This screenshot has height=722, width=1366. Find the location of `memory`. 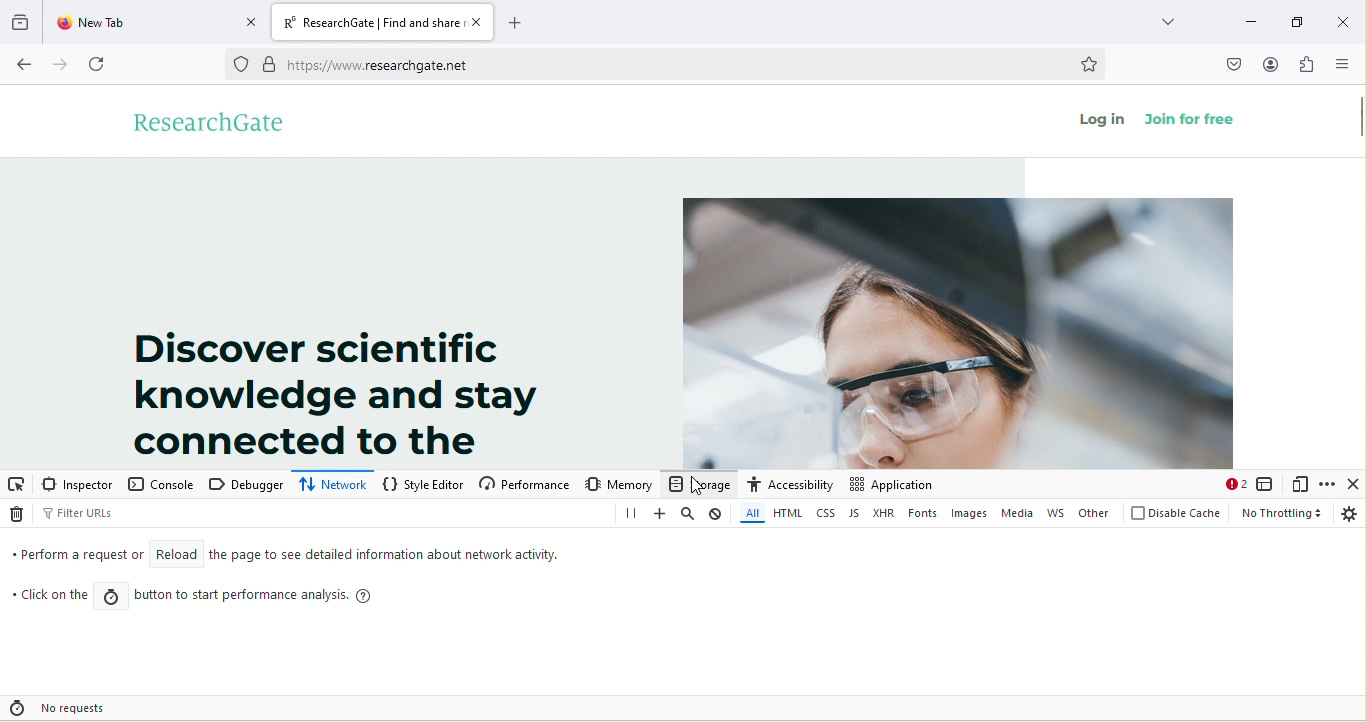

memory is located at coordinates (619, 484).